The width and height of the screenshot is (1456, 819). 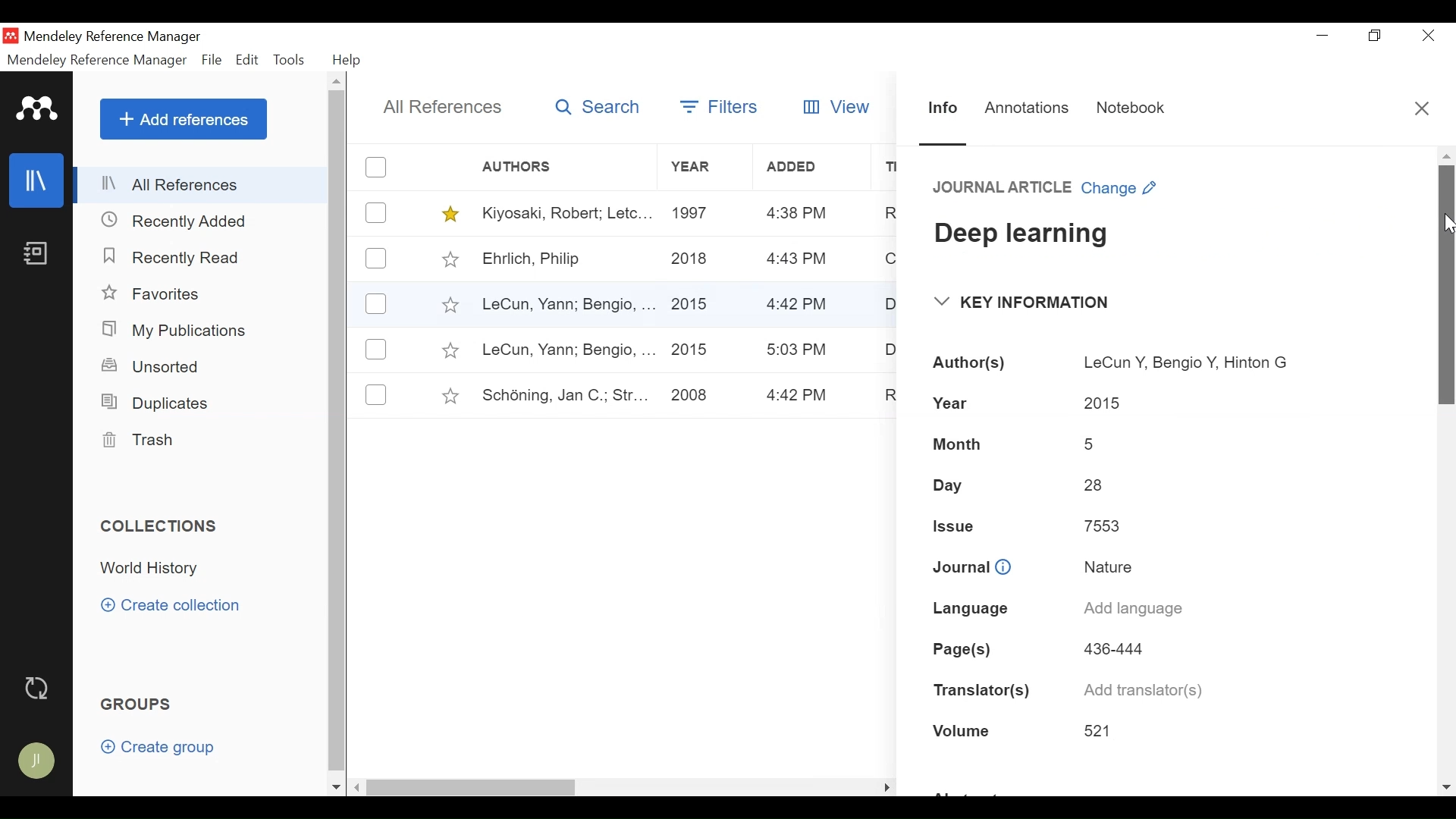 What do you see at coordinates (566, 306) in the screenshot?
I see `LeCun, Yann, Bengio` at bounding box center [566, 306].